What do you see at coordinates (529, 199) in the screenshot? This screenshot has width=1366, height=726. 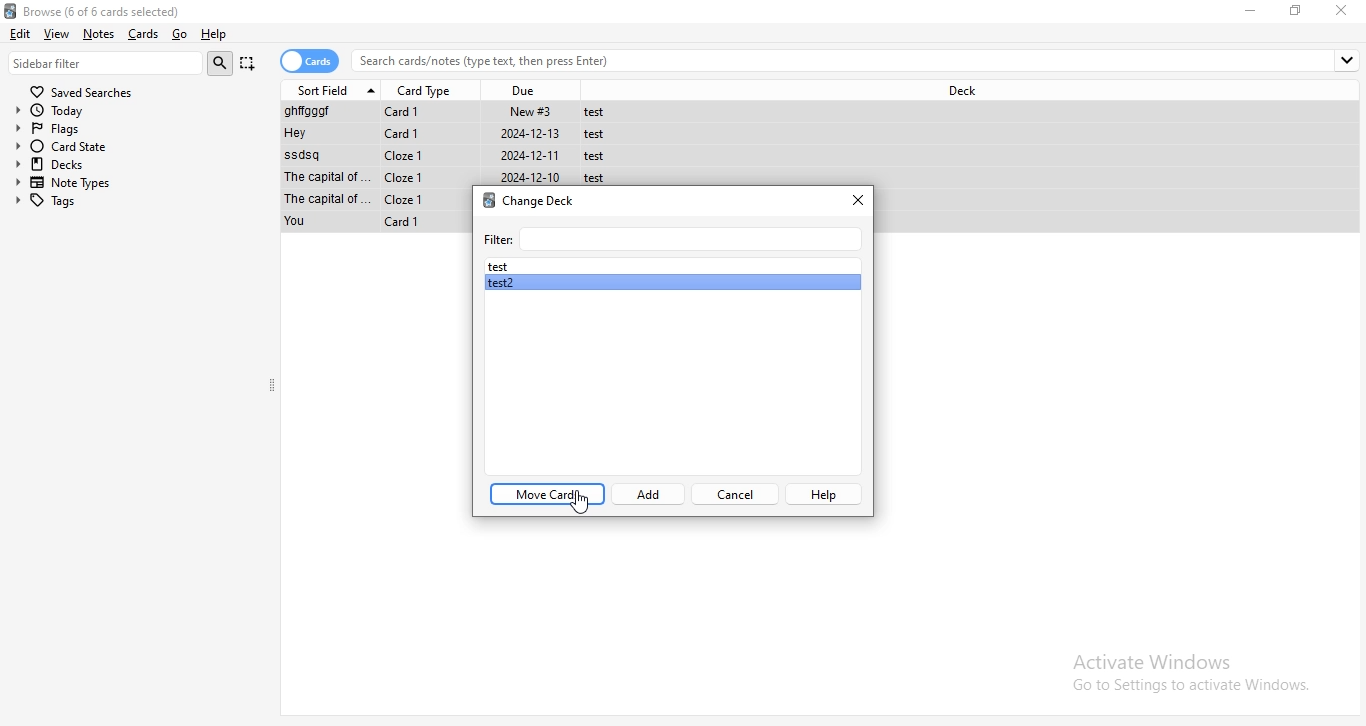 I see `change deck` at bounding box center [529, 199].